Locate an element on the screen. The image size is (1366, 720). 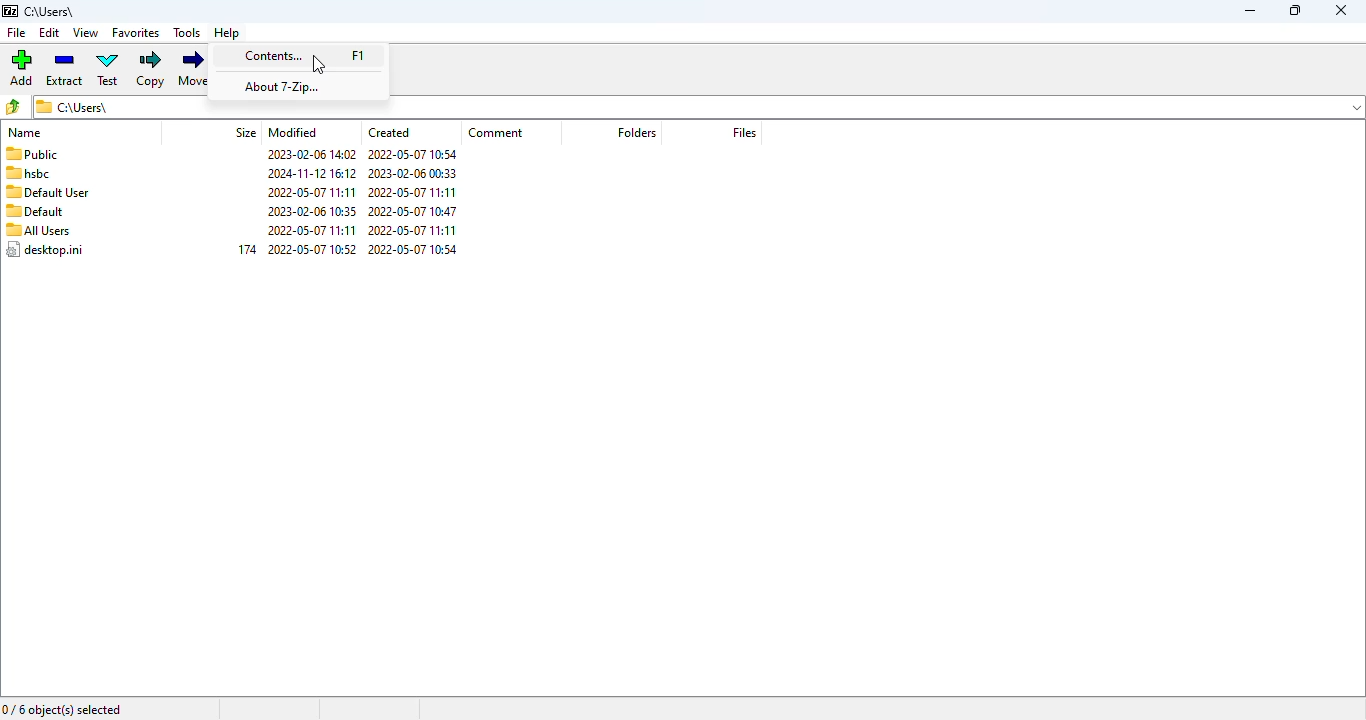
dropdown is located at coordinates (1357, 106).